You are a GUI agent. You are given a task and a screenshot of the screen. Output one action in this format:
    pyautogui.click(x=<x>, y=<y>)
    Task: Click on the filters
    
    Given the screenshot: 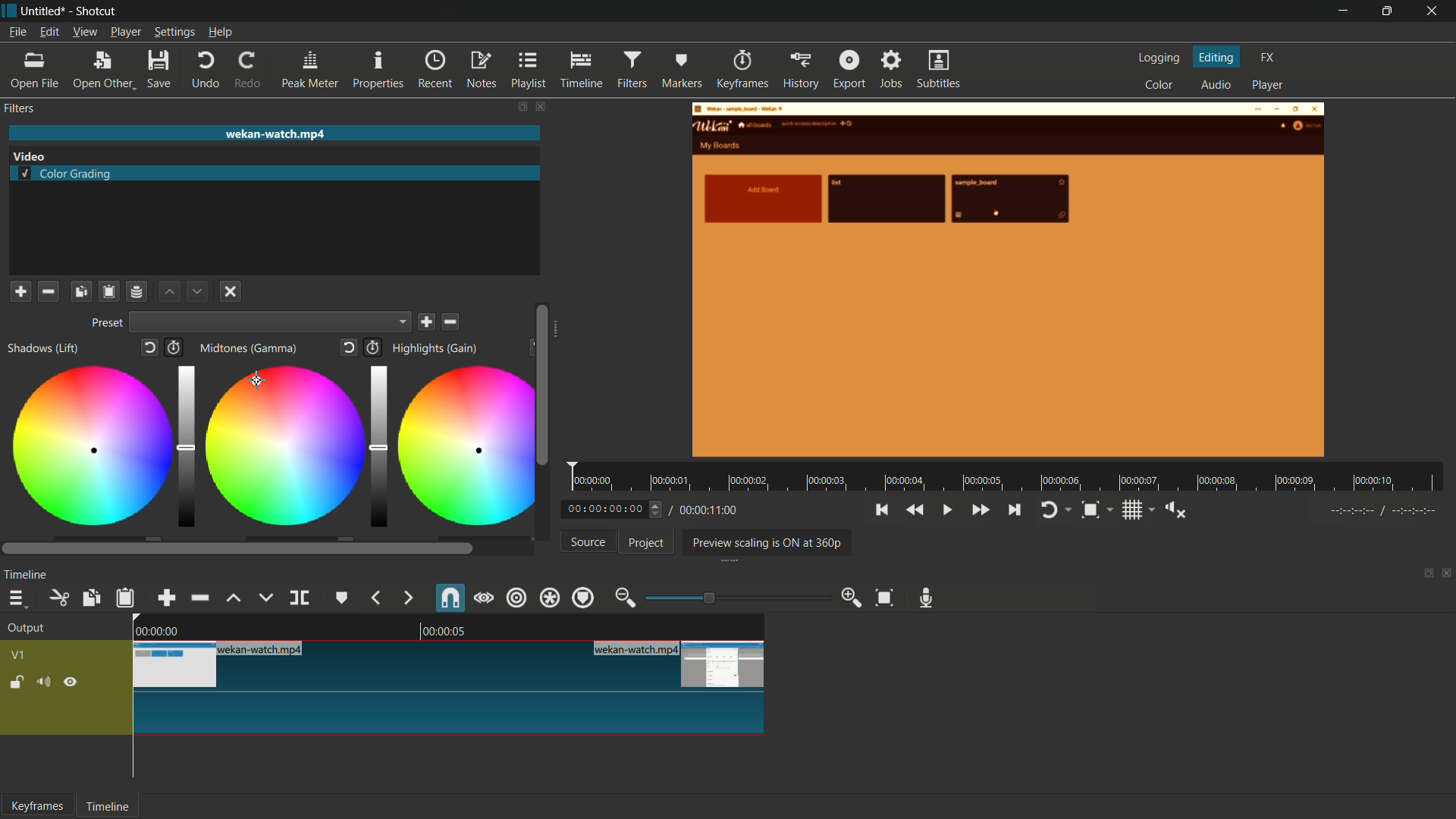 What is the action you would take?
    pyautogui.click(x=19, y=108)
    